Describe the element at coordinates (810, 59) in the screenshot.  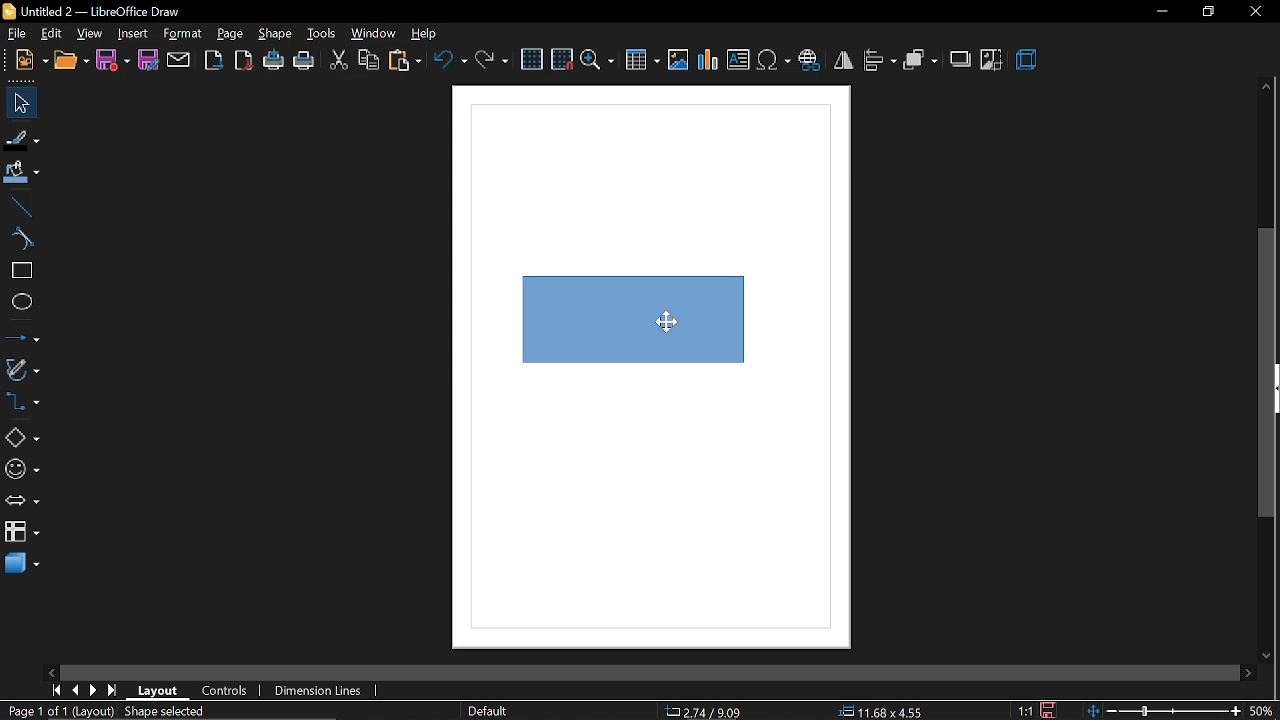
I see `insert hyperlink` at that location.